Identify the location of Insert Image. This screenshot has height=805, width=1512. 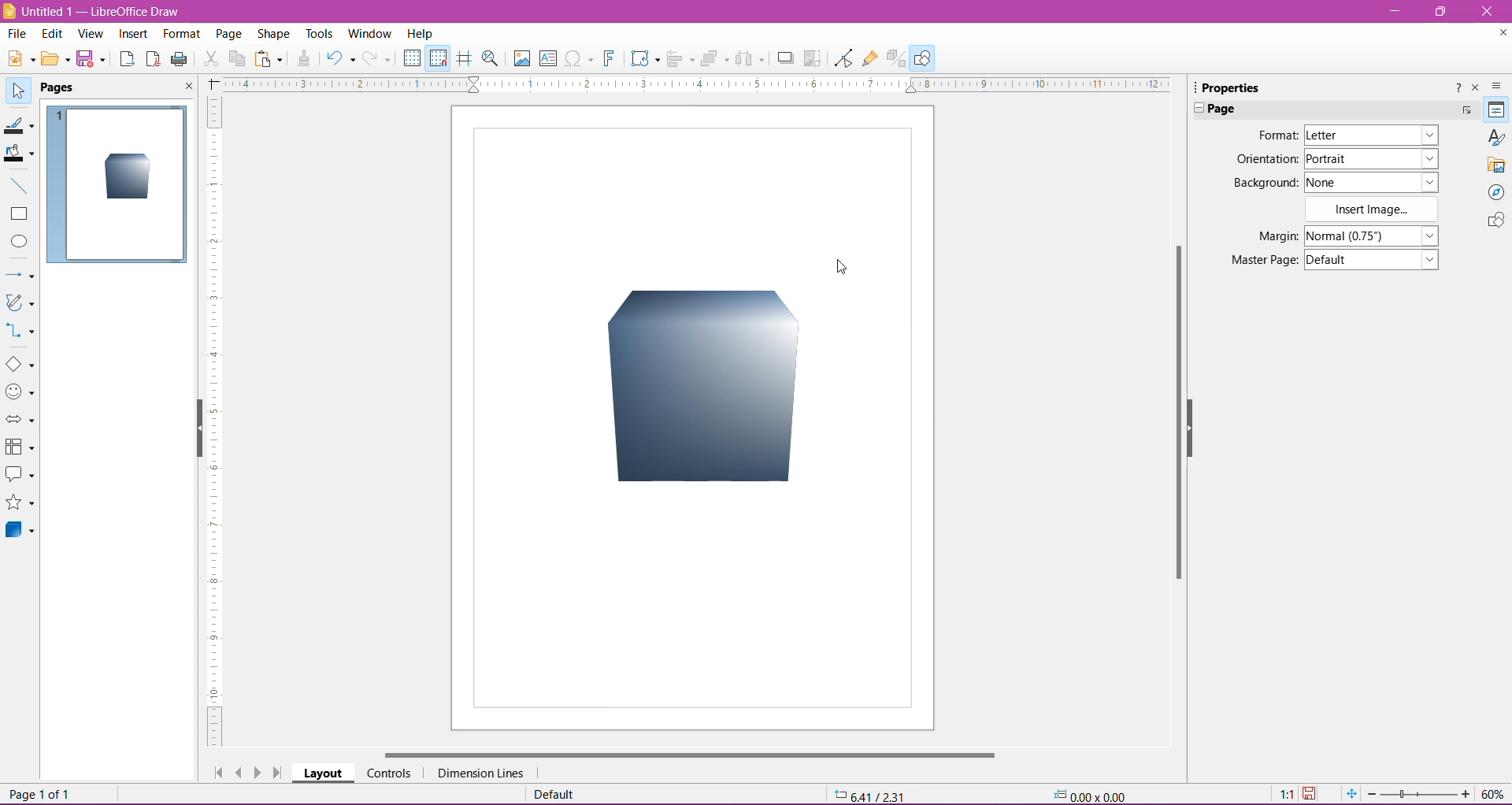
(1374, 210).